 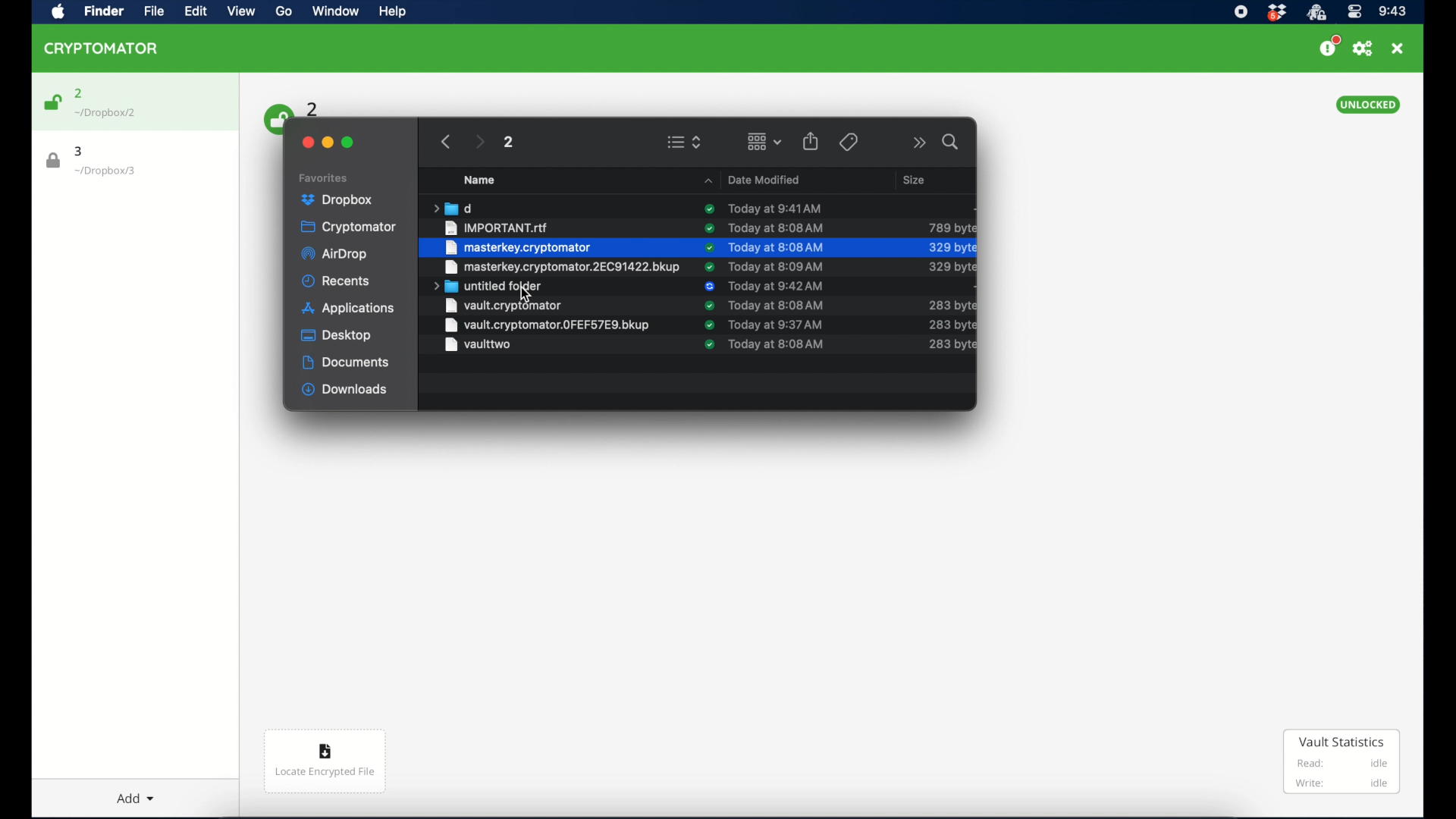 What do you see at coordinates (324, 178) in the screenshot?
I see `favorites` at bounding box center [324, 178].